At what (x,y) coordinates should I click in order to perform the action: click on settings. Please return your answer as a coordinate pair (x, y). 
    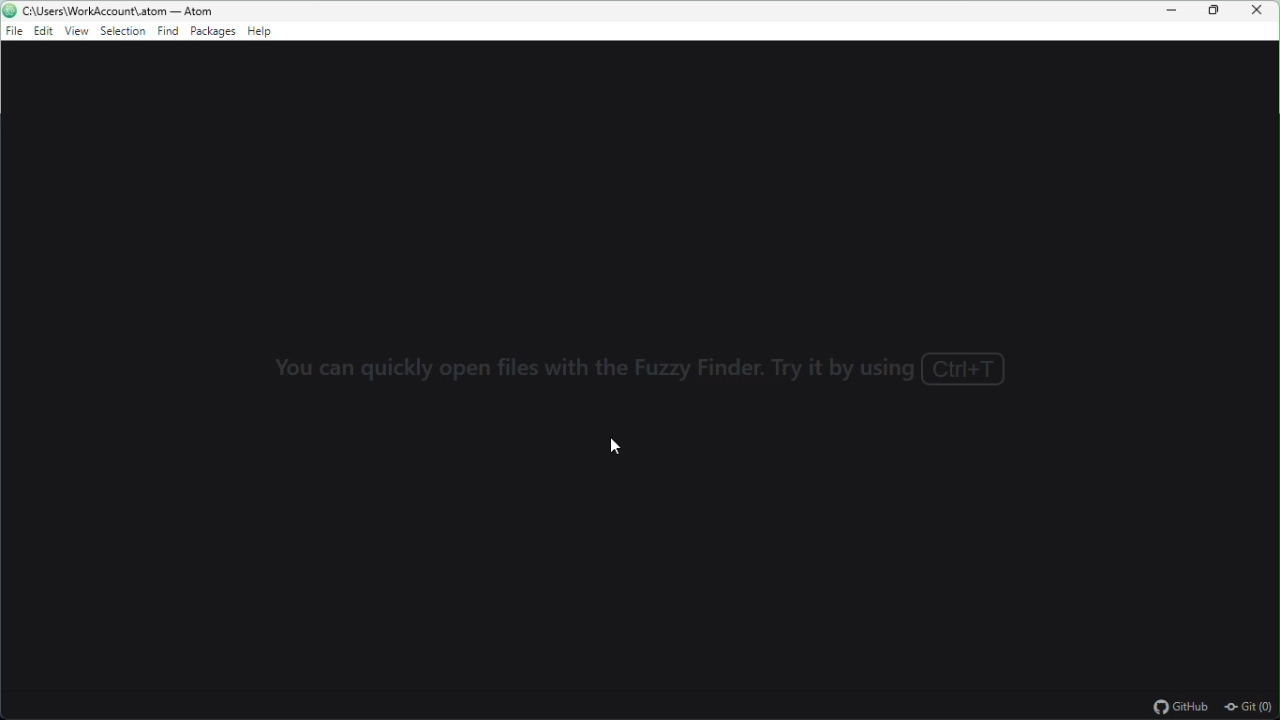
    Looking at the image, I should click on (122, 33).